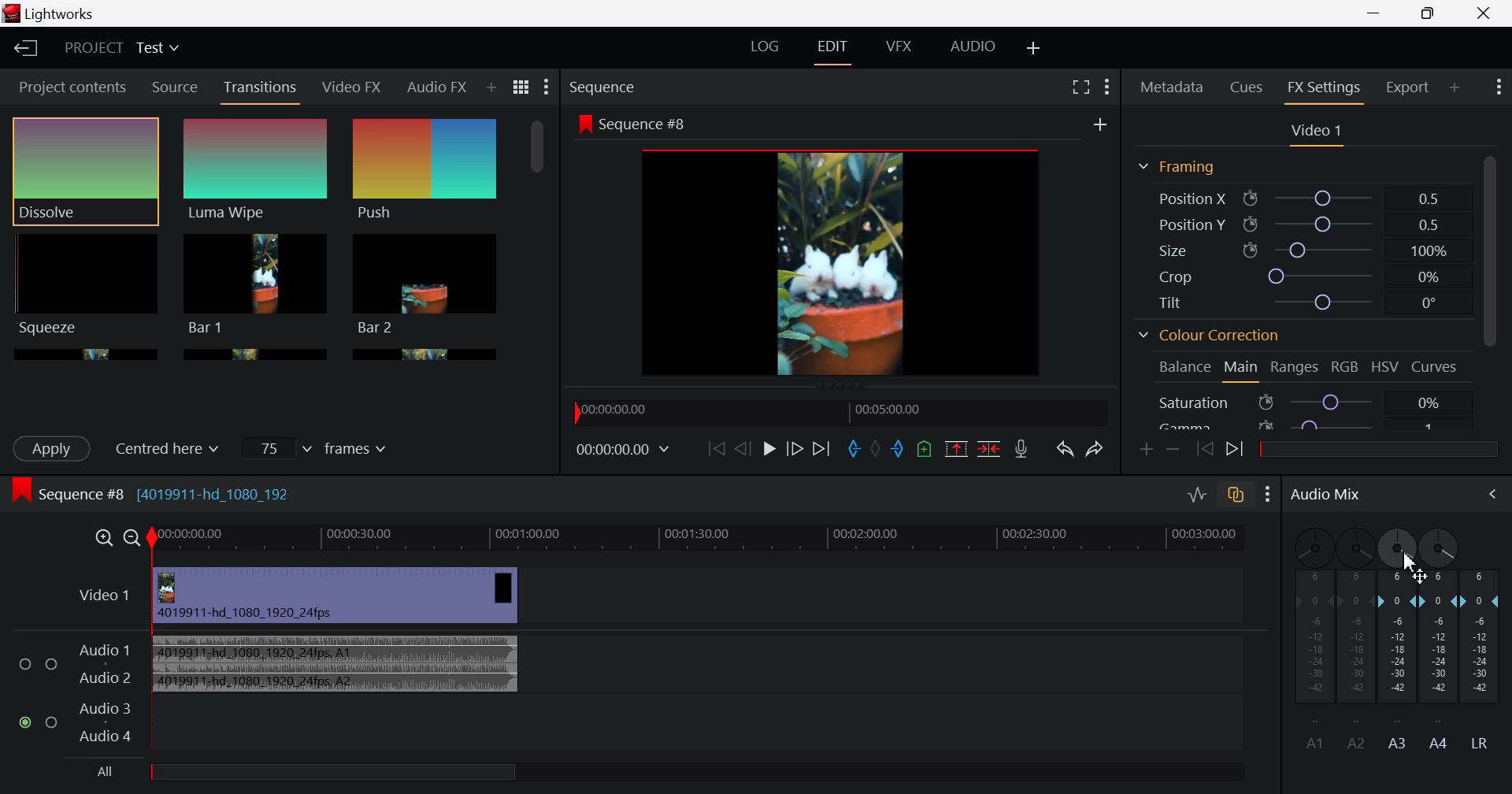  What do you see at coordinates (1432, 13) in the screenshot?
I see `Minimize` at bounding box center [1432, 13].